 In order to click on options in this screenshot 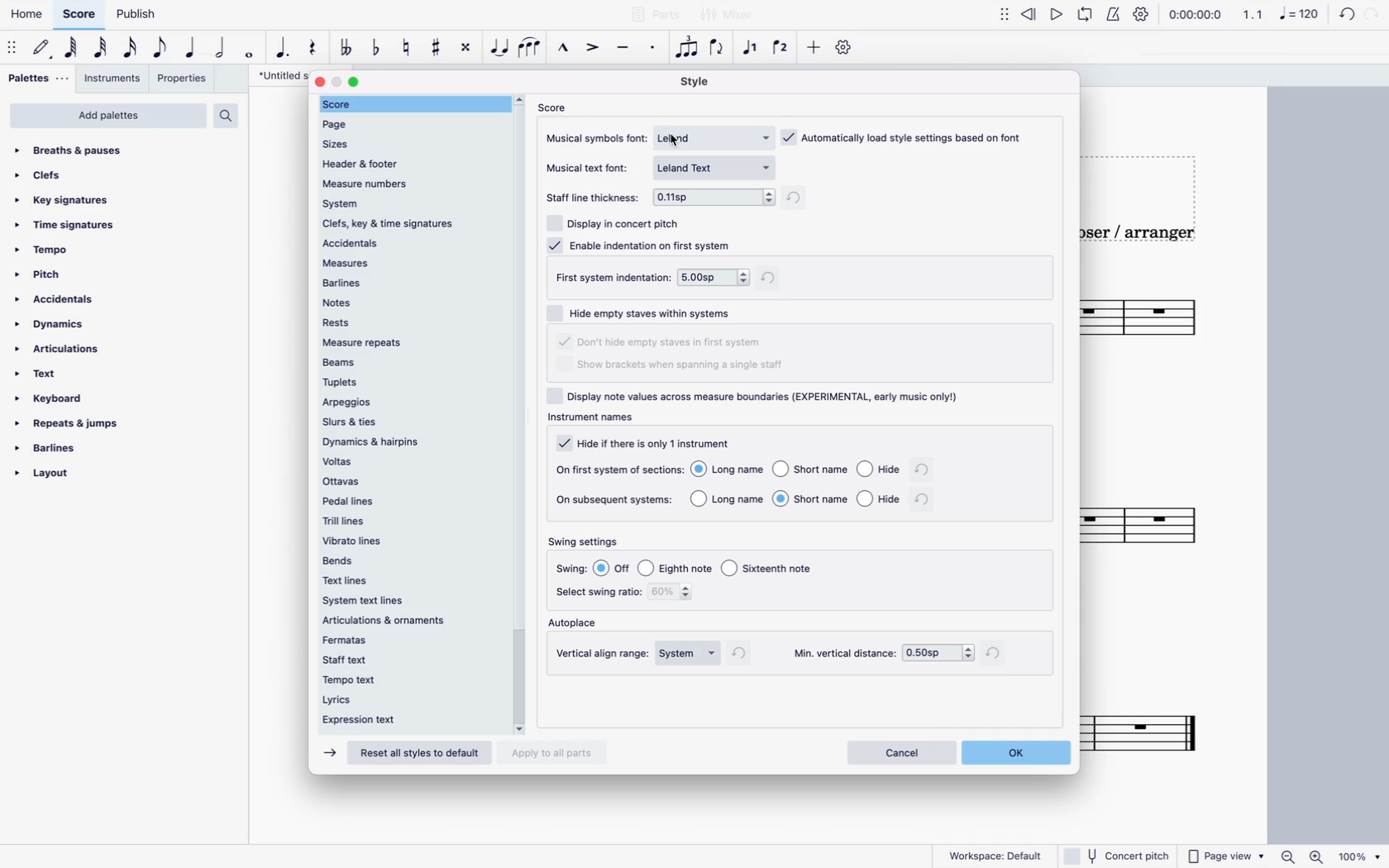, I will do `click(714, 276)`.